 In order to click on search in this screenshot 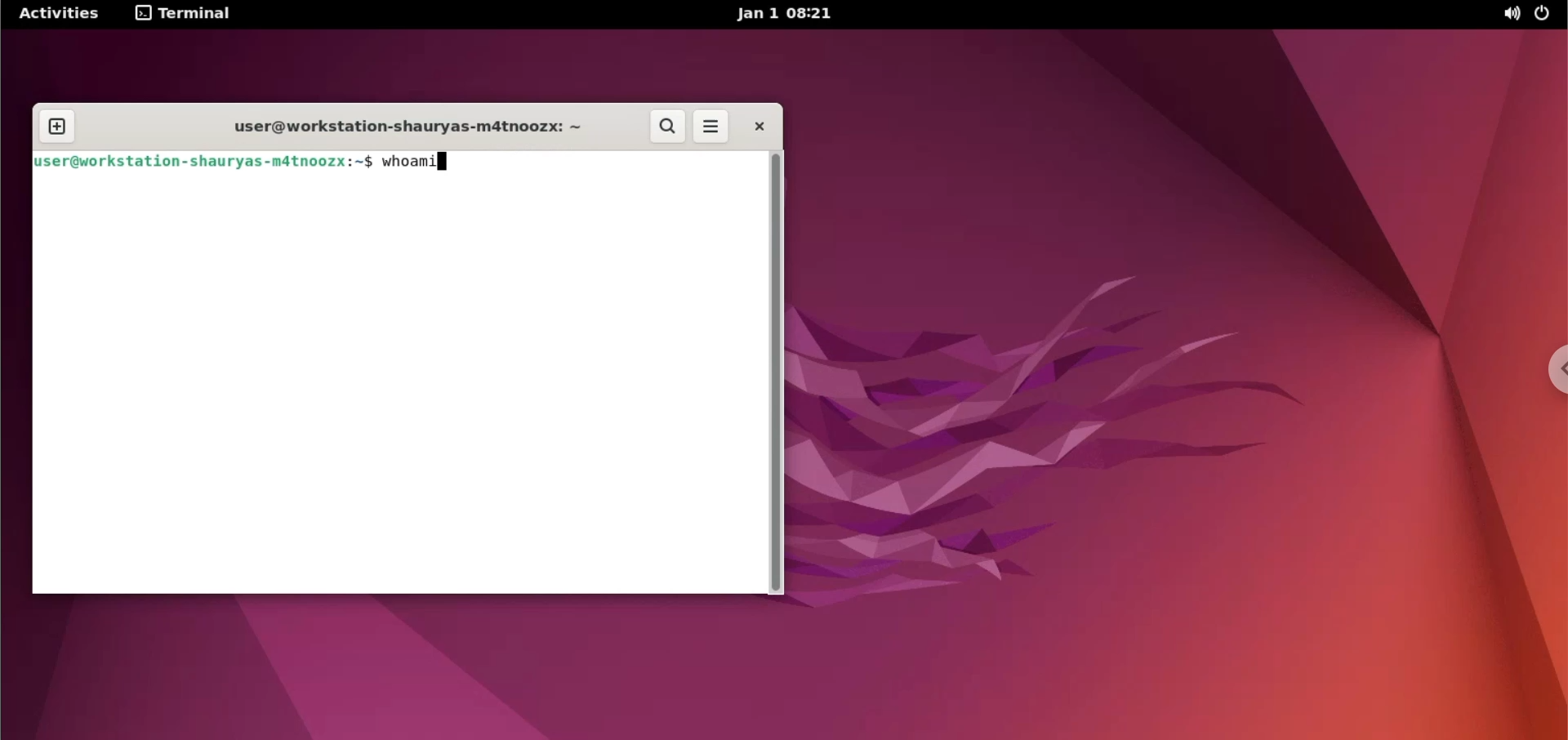, I will do `click(669, 127)`.